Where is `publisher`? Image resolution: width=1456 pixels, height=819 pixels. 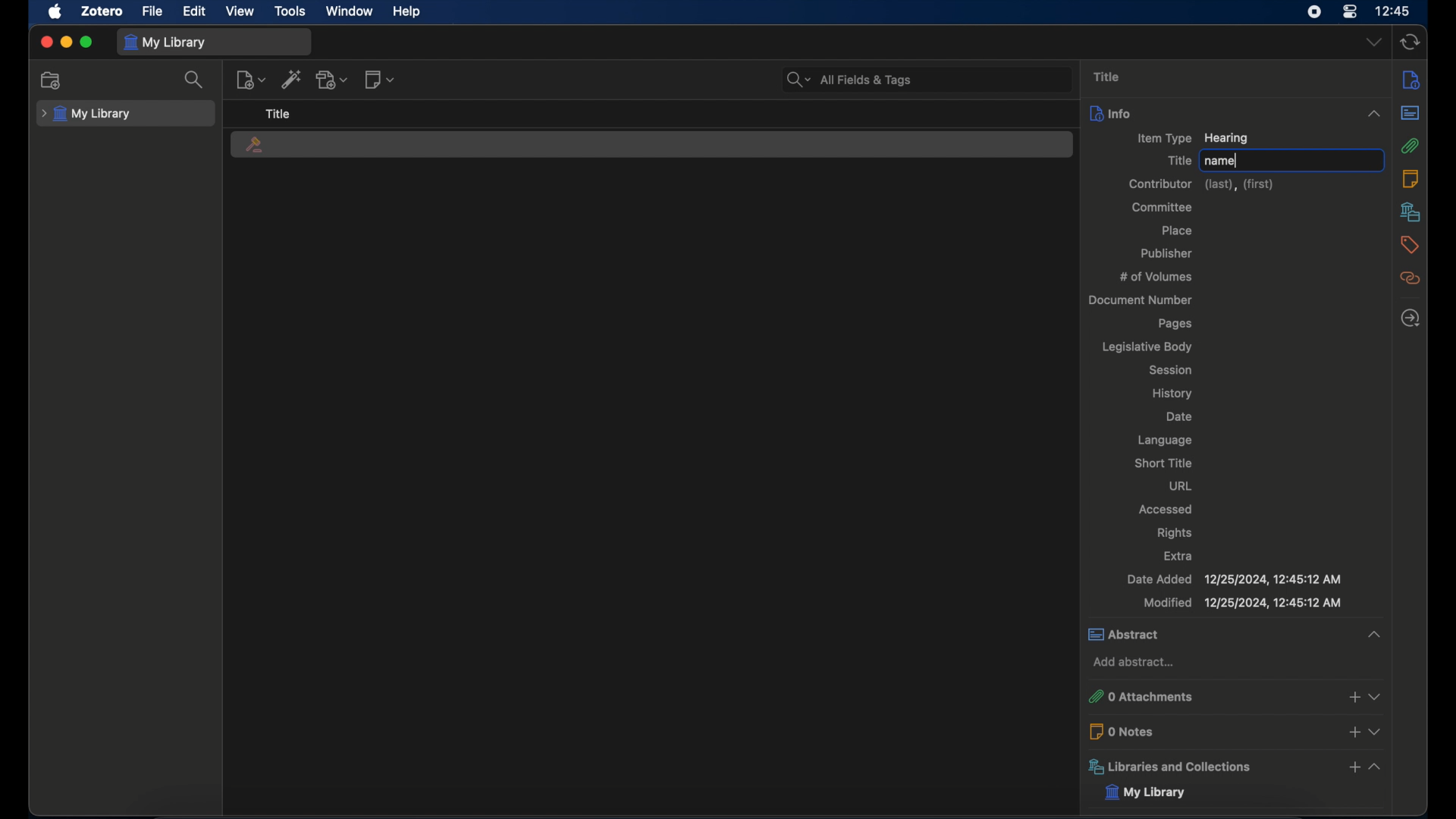 publisher is located at coordinates (1168, 253).